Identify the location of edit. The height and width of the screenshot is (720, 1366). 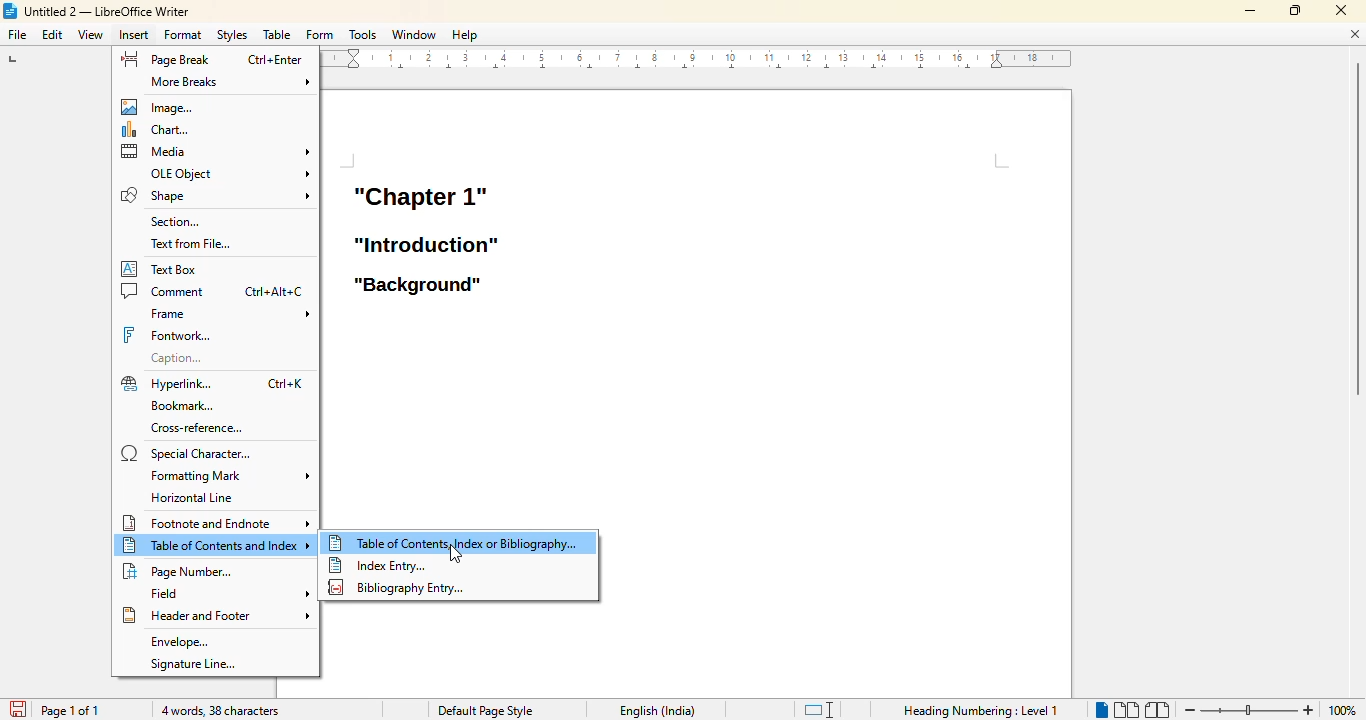
(52, 34).